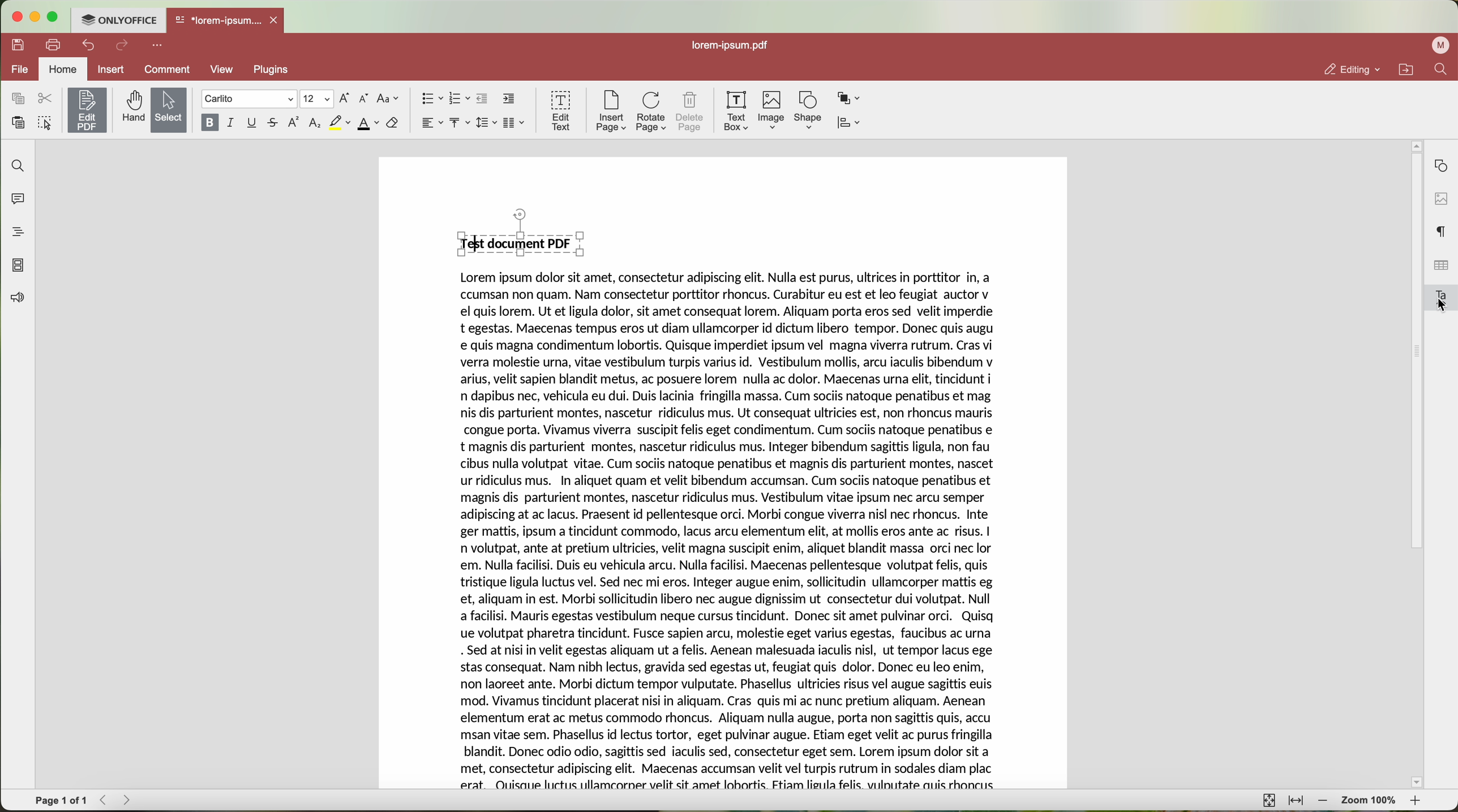 The height and width of the screenshot is (812, 1458). Describe the element at coordinates (1418, 800) in the screenshot. I see `zoom in` at that location.